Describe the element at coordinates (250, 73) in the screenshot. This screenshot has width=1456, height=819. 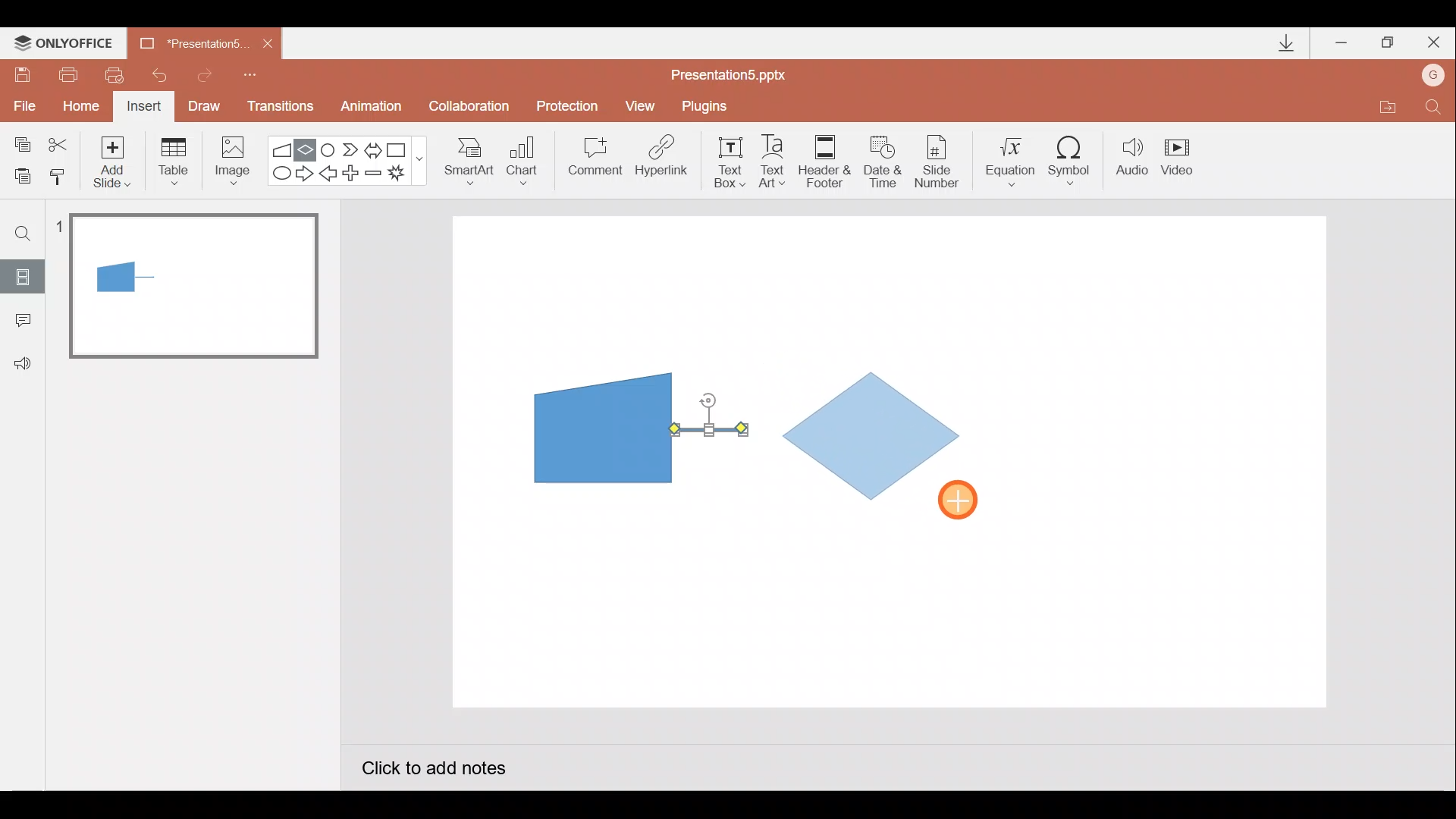
I see `Customize quick access toolbar` at that location.